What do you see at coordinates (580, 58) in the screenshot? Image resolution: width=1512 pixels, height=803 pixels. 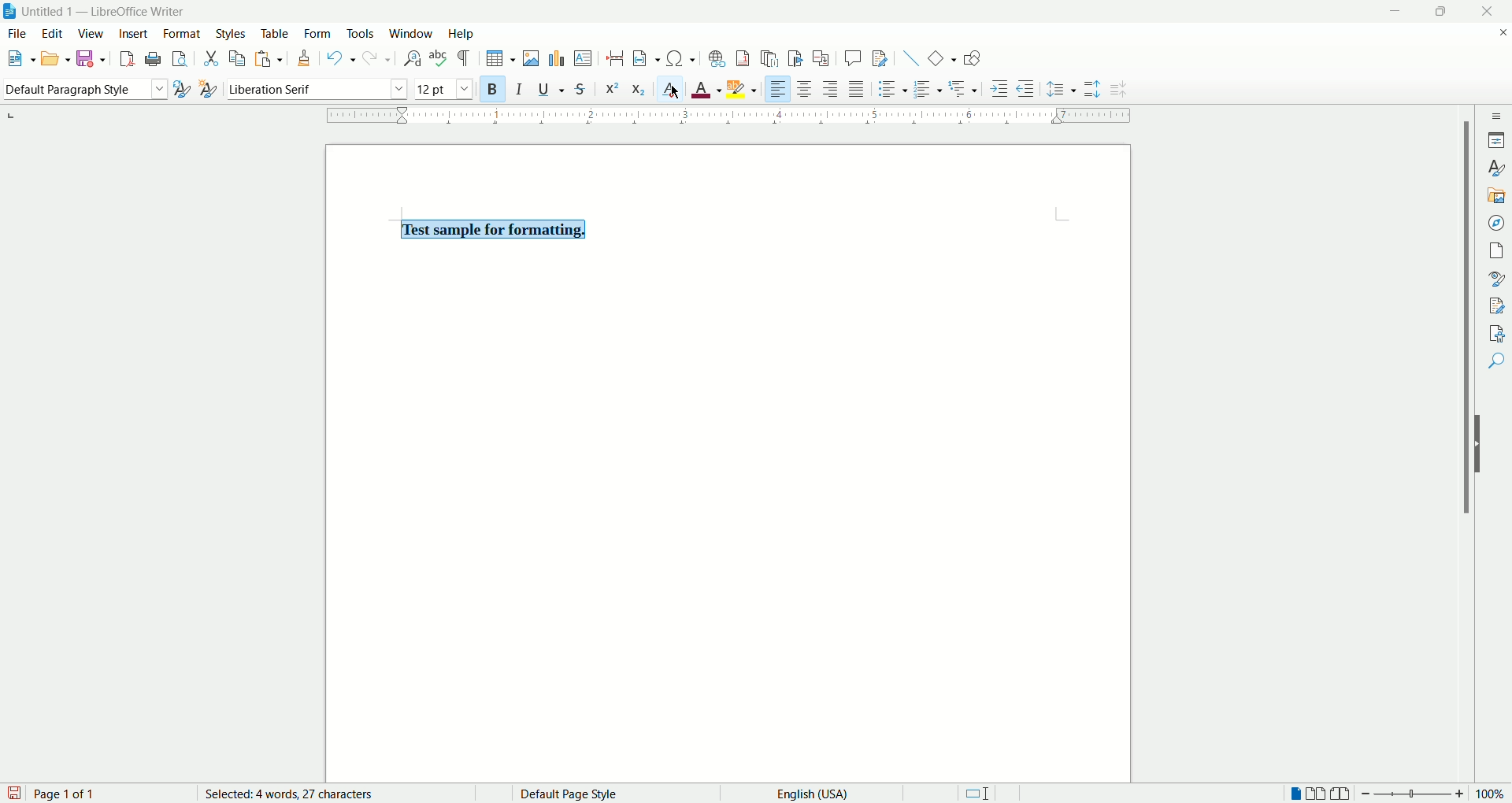 I see `insert text` at bounding box center [580, 58].